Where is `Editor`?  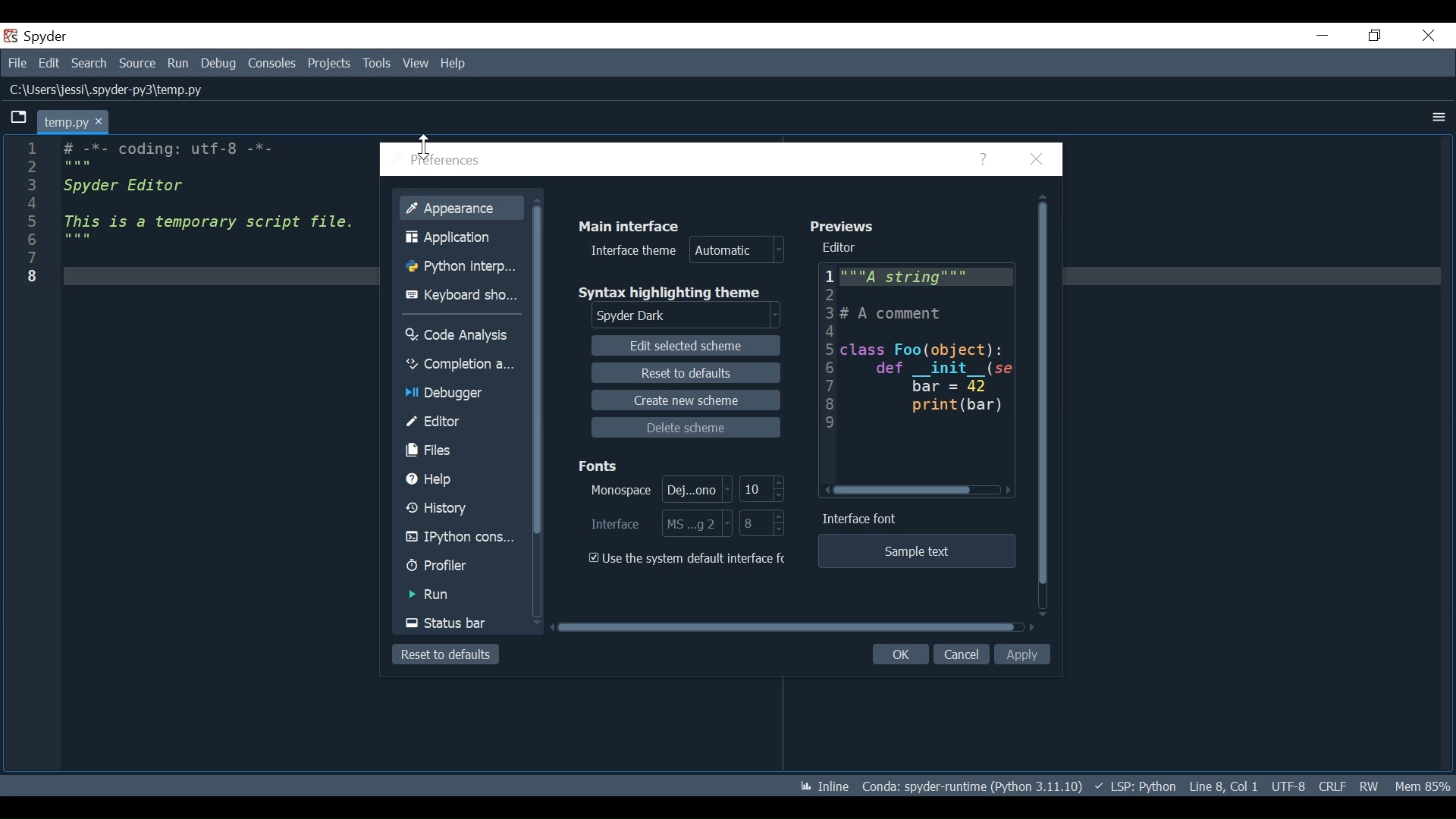 Editor is located at coordinates (460, 421).